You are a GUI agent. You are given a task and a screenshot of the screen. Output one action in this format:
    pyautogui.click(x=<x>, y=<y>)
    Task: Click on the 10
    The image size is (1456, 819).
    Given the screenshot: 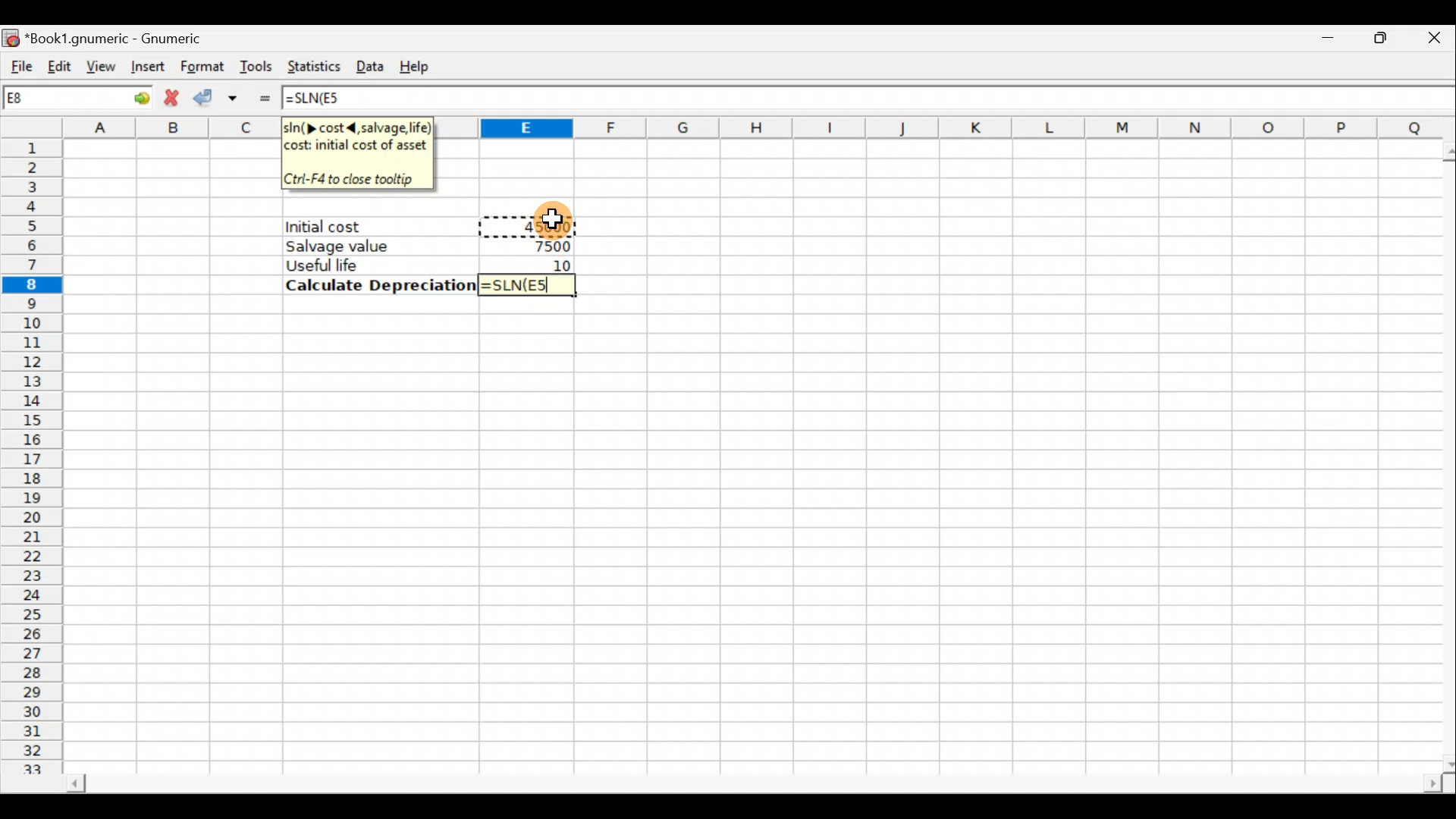 What is the action you would take?
    pyautogui.click(x=557, y=264)
    